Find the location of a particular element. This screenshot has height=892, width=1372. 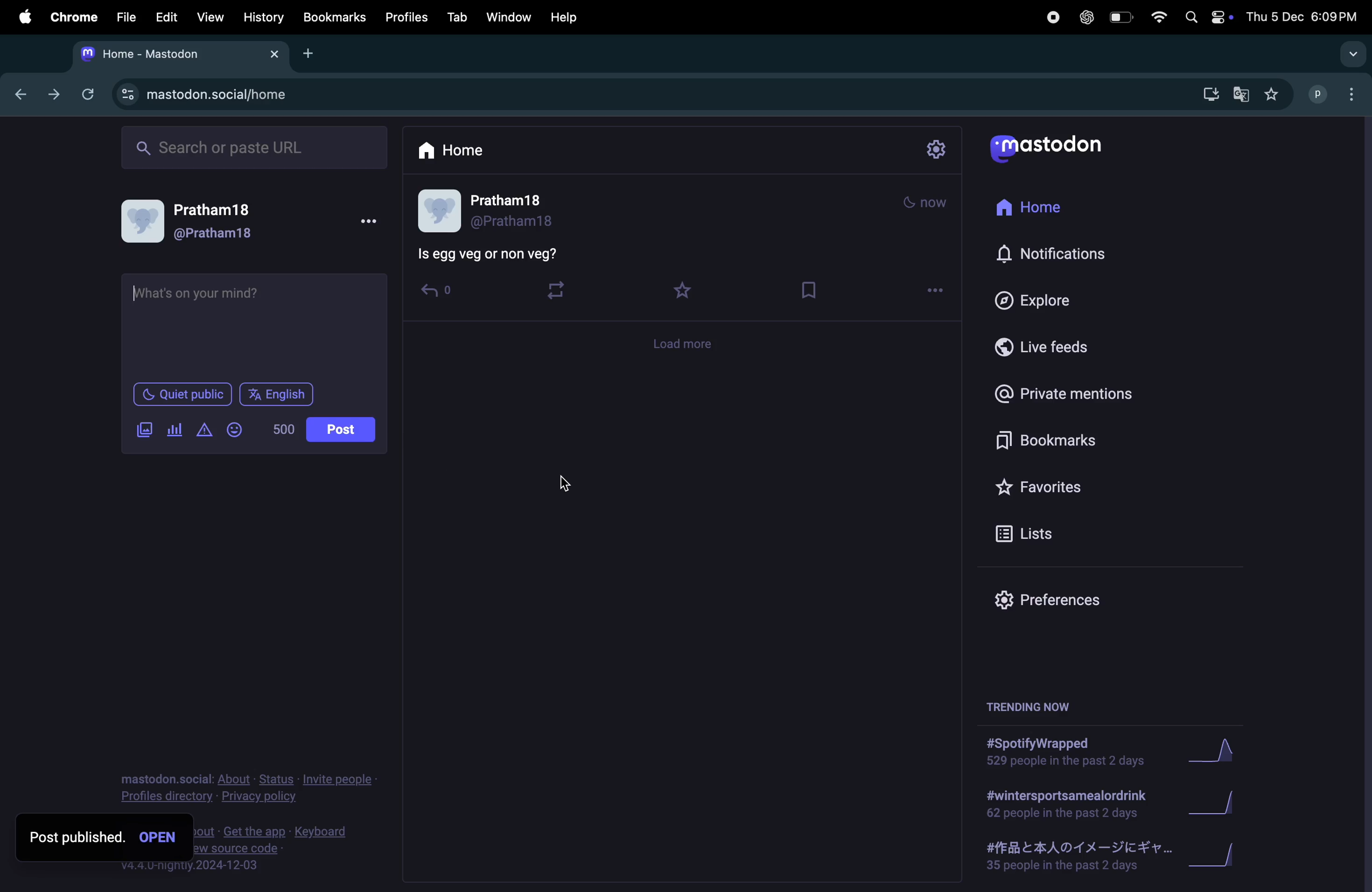

499 is located at coordinates (285, 428).